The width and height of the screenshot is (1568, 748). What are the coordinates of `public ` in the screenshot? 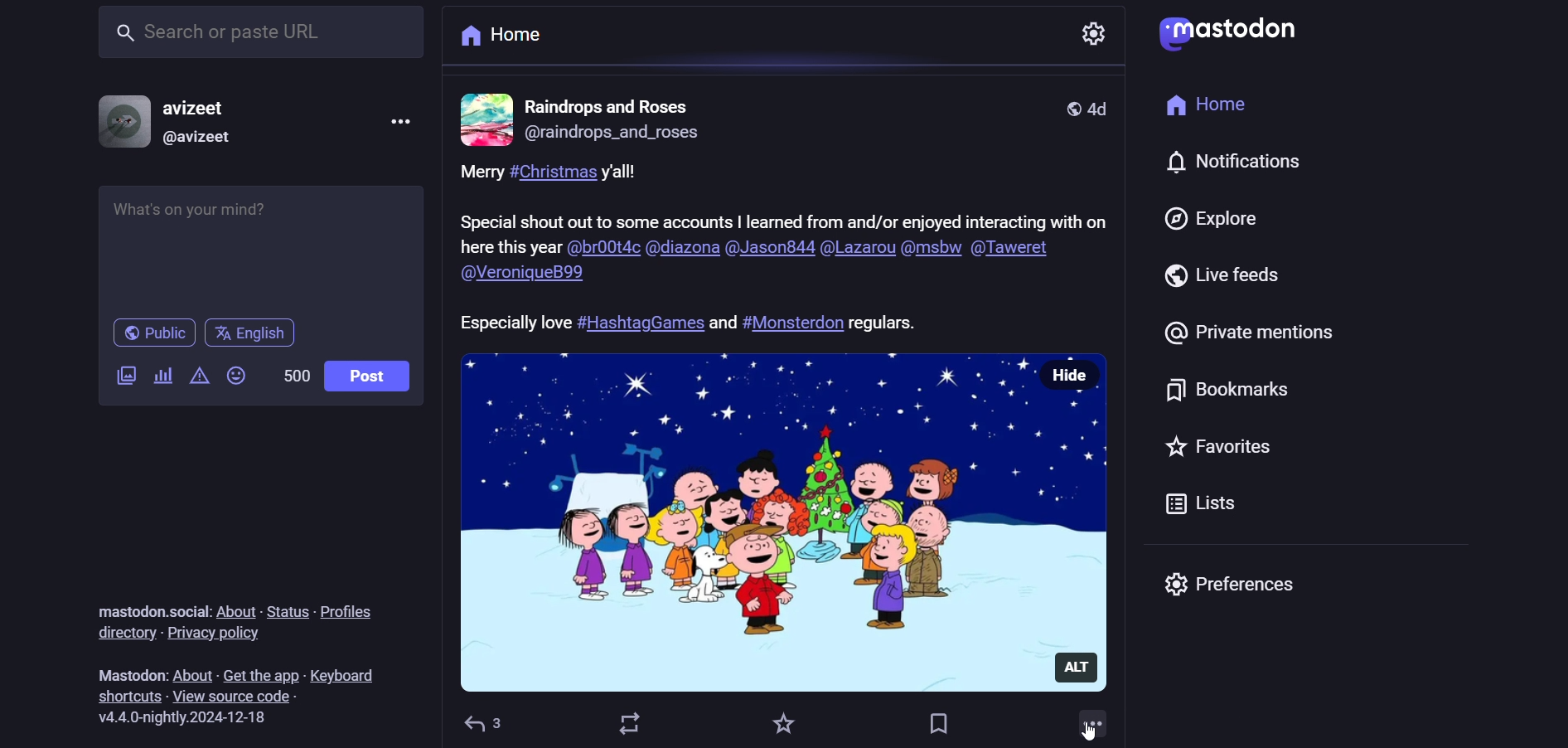 It's located at (148, 333).